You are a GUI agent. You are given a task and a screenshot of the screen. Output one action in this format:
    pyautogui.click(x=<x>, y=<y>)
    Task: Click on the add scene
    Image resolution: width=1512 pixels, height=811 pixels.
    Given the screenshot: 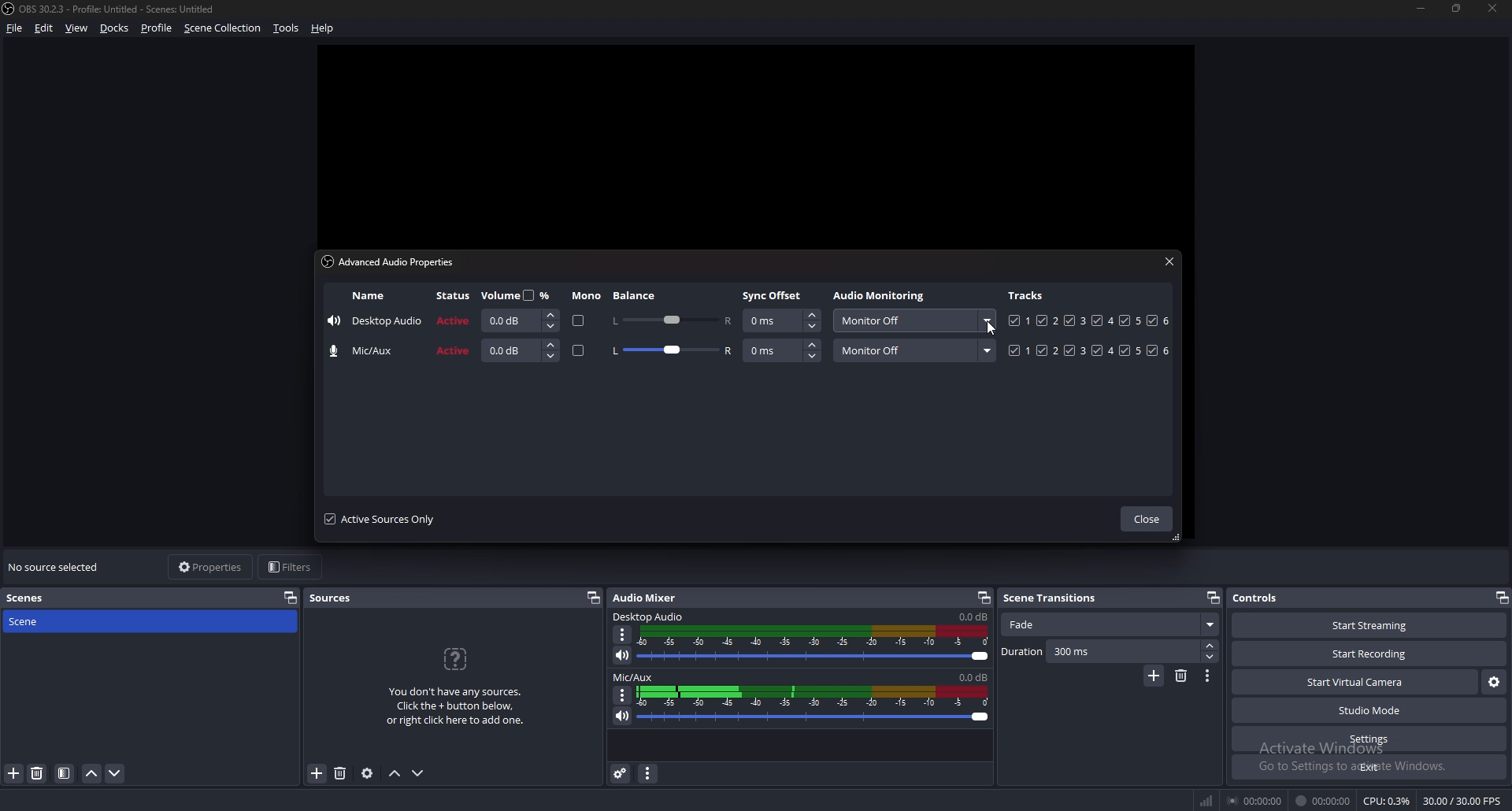 What is the action you would take?
    pyautogui.click(x=14, y=774)
    